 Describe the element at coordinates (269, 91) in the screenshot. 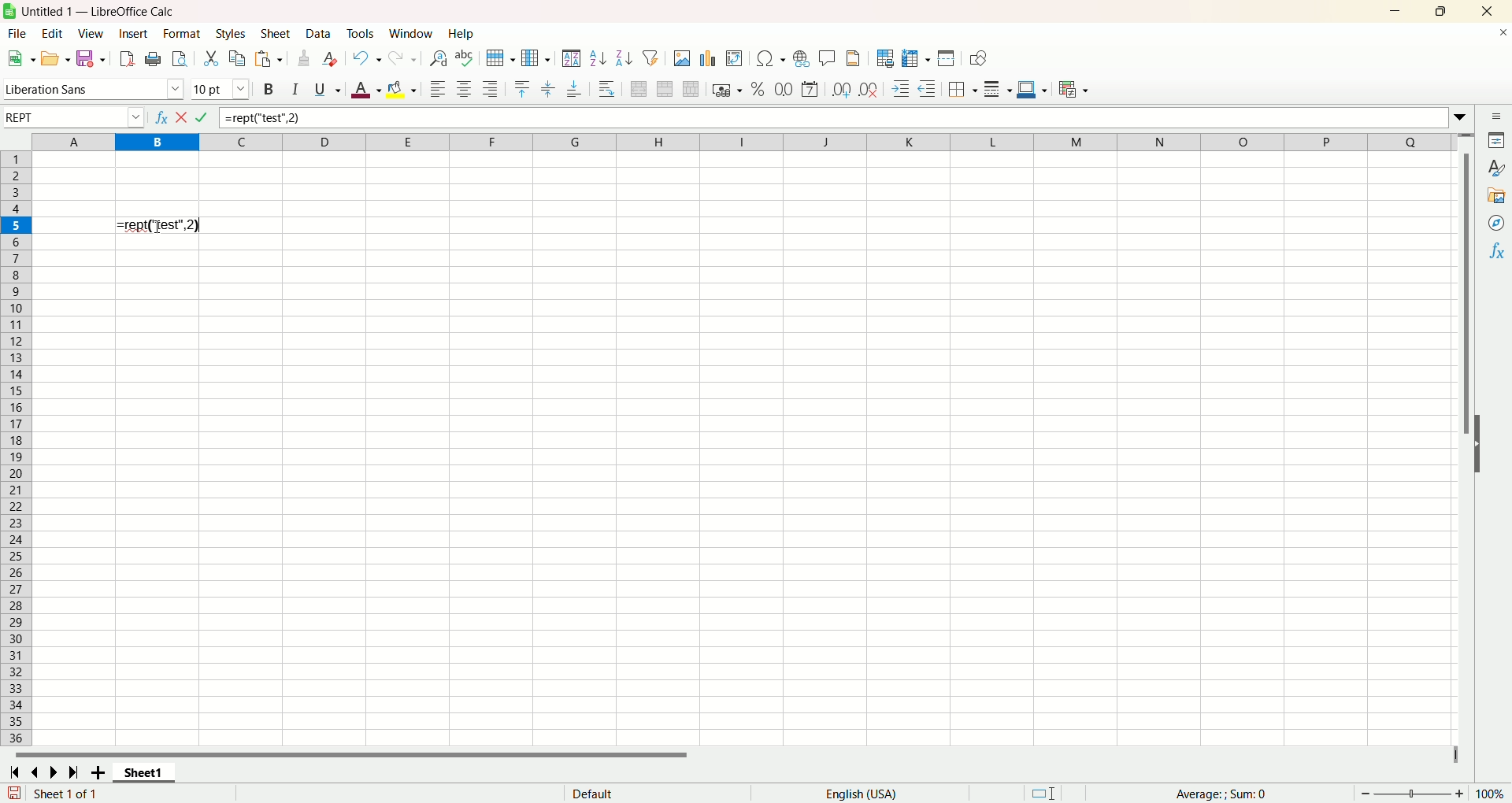

I see `bold` at that location.